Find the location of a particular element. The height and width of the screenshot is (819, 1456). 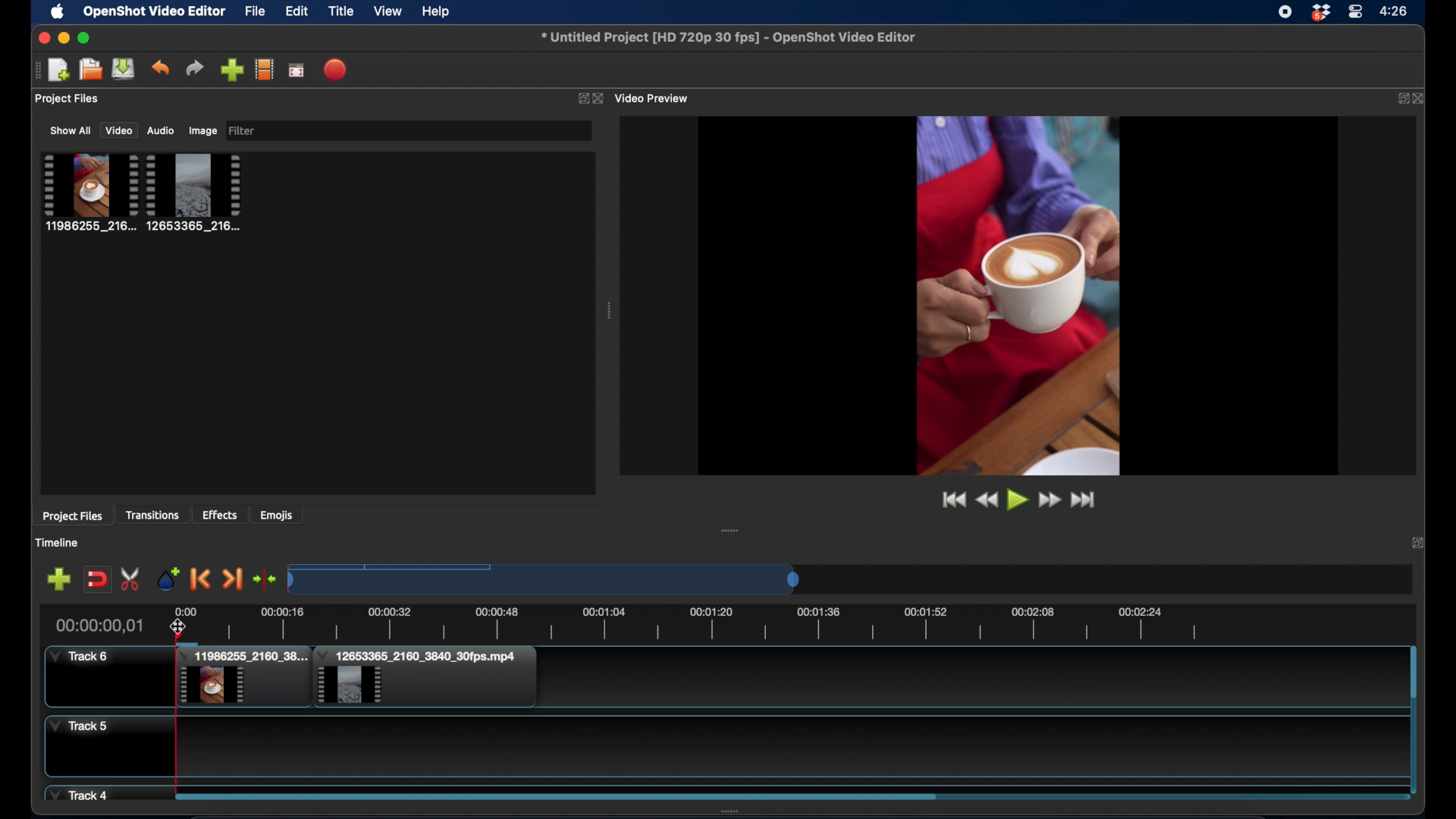

add marker is located at coordinates (58, 579).